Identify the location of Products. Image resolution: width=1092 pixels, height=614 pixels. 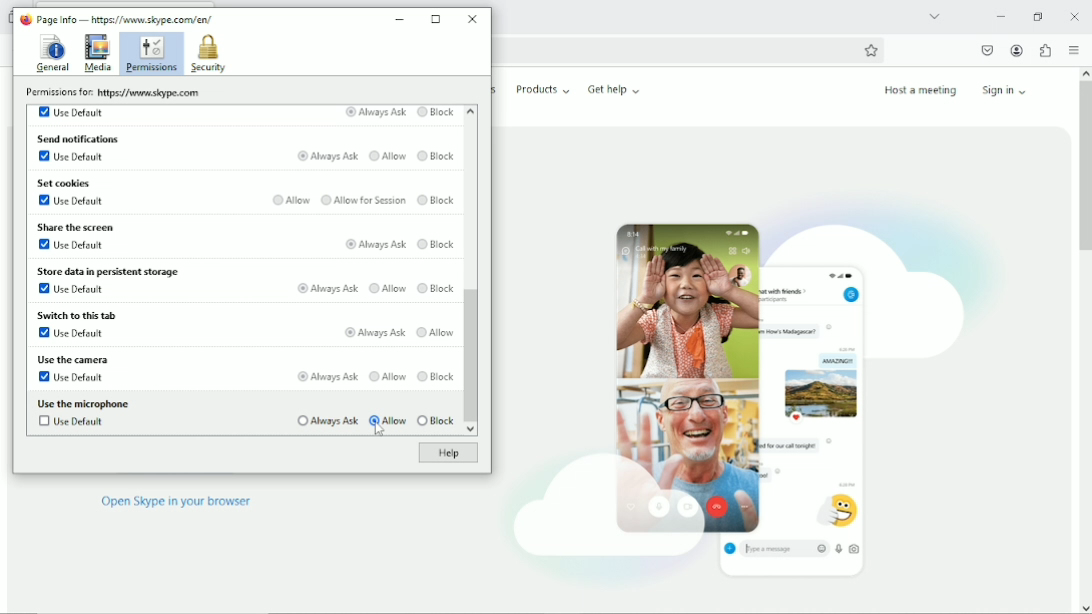
(543, 89).